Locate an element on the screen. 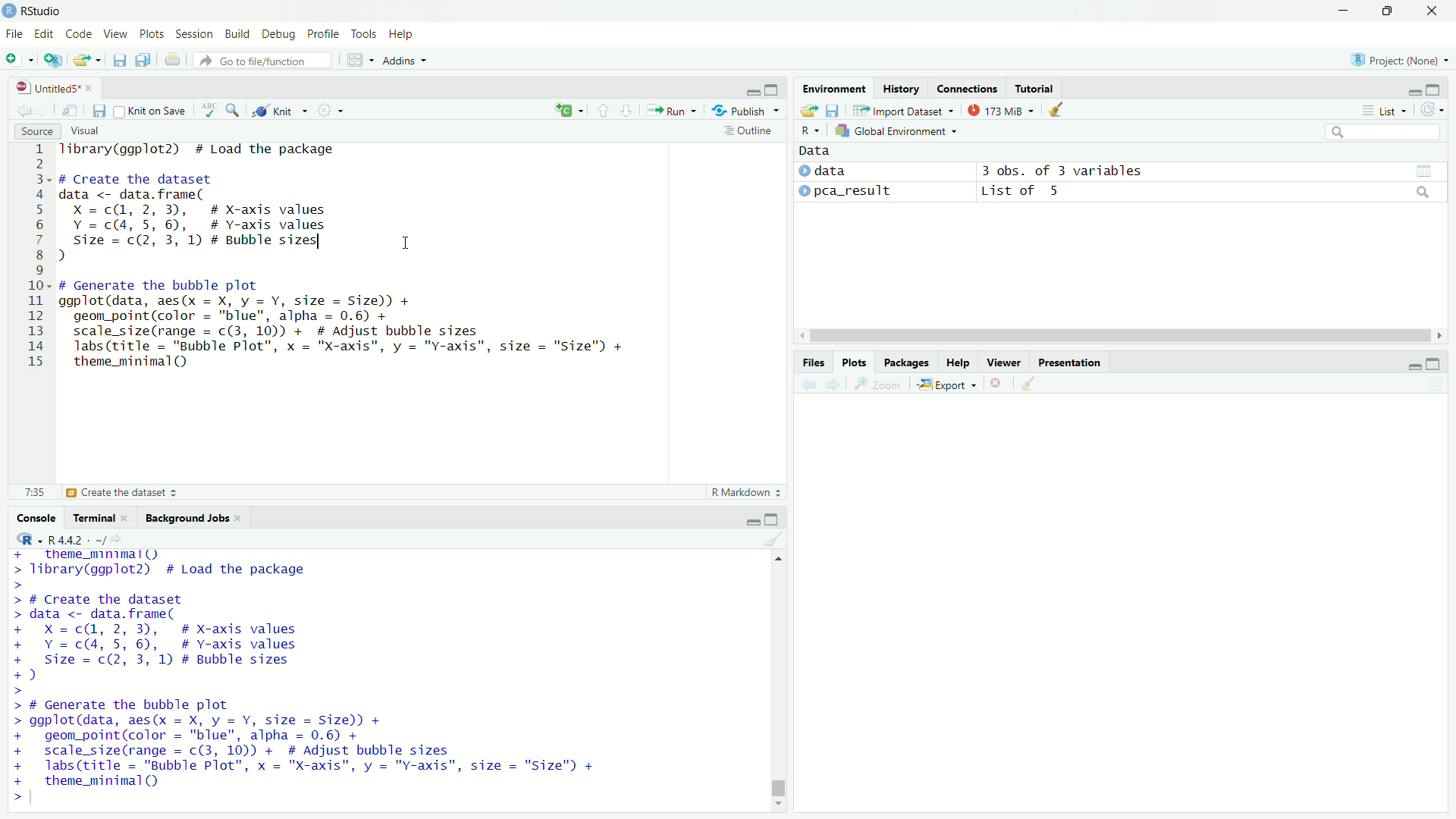 The width and height of the screenshot is (1456, 819). View is located at coordinates (118, 35).